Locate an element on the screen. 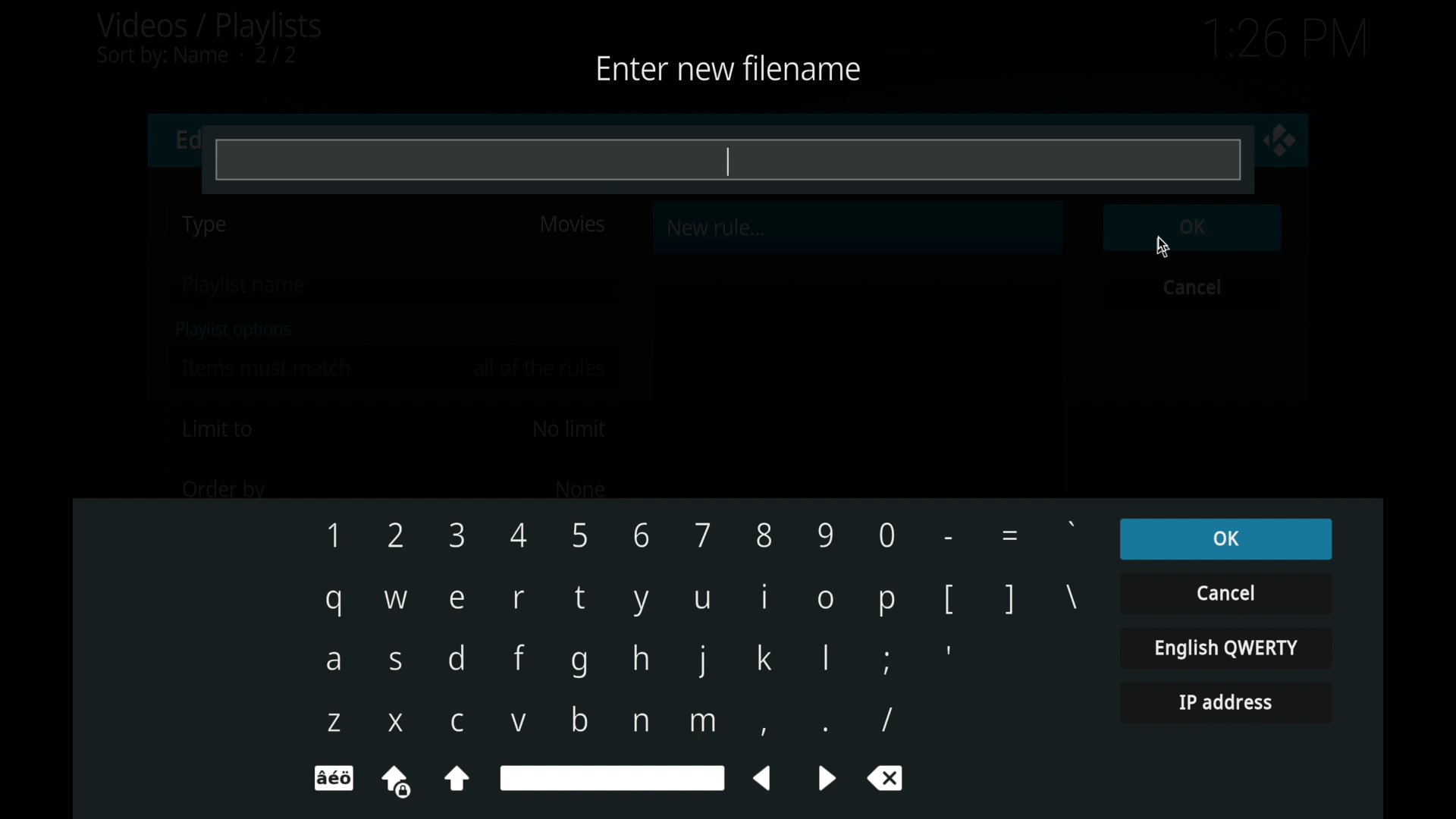  ok is located at coordinates (1193, 227).